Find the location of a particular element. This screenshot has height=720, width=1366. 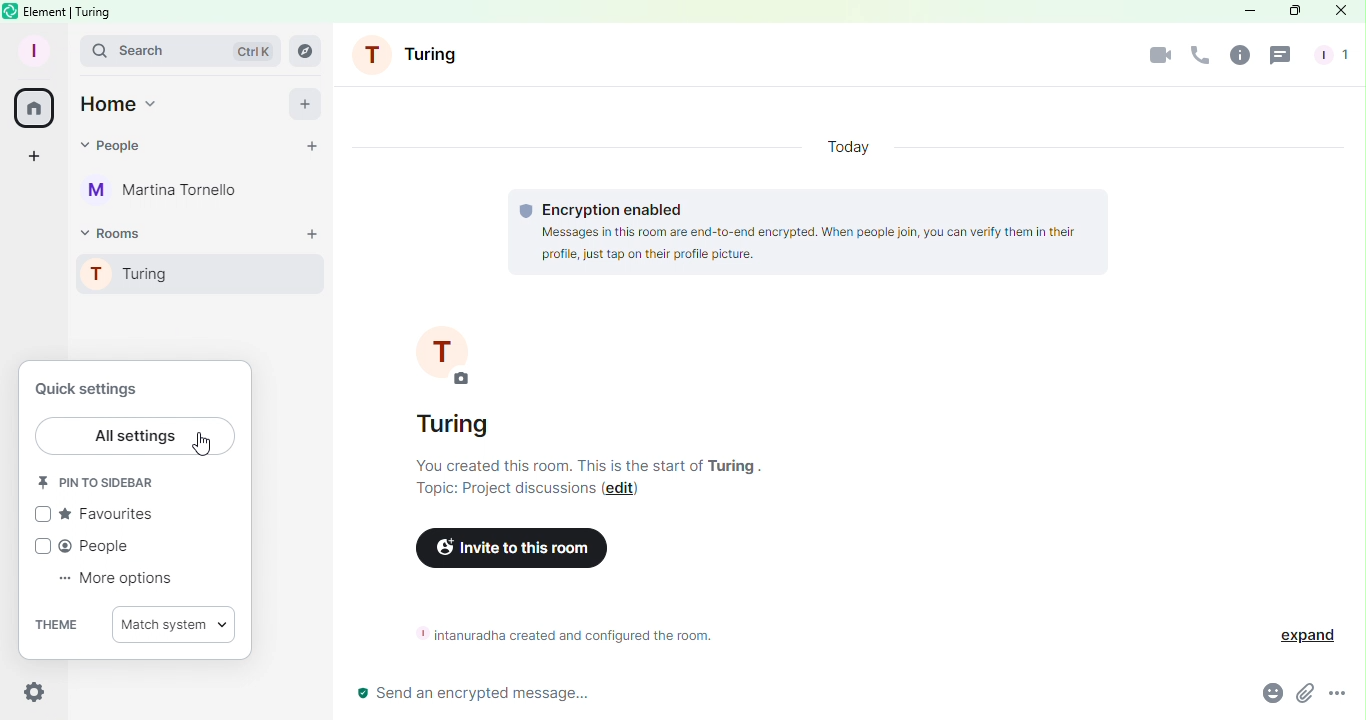

Rooms is located at coordinates (110, 233).